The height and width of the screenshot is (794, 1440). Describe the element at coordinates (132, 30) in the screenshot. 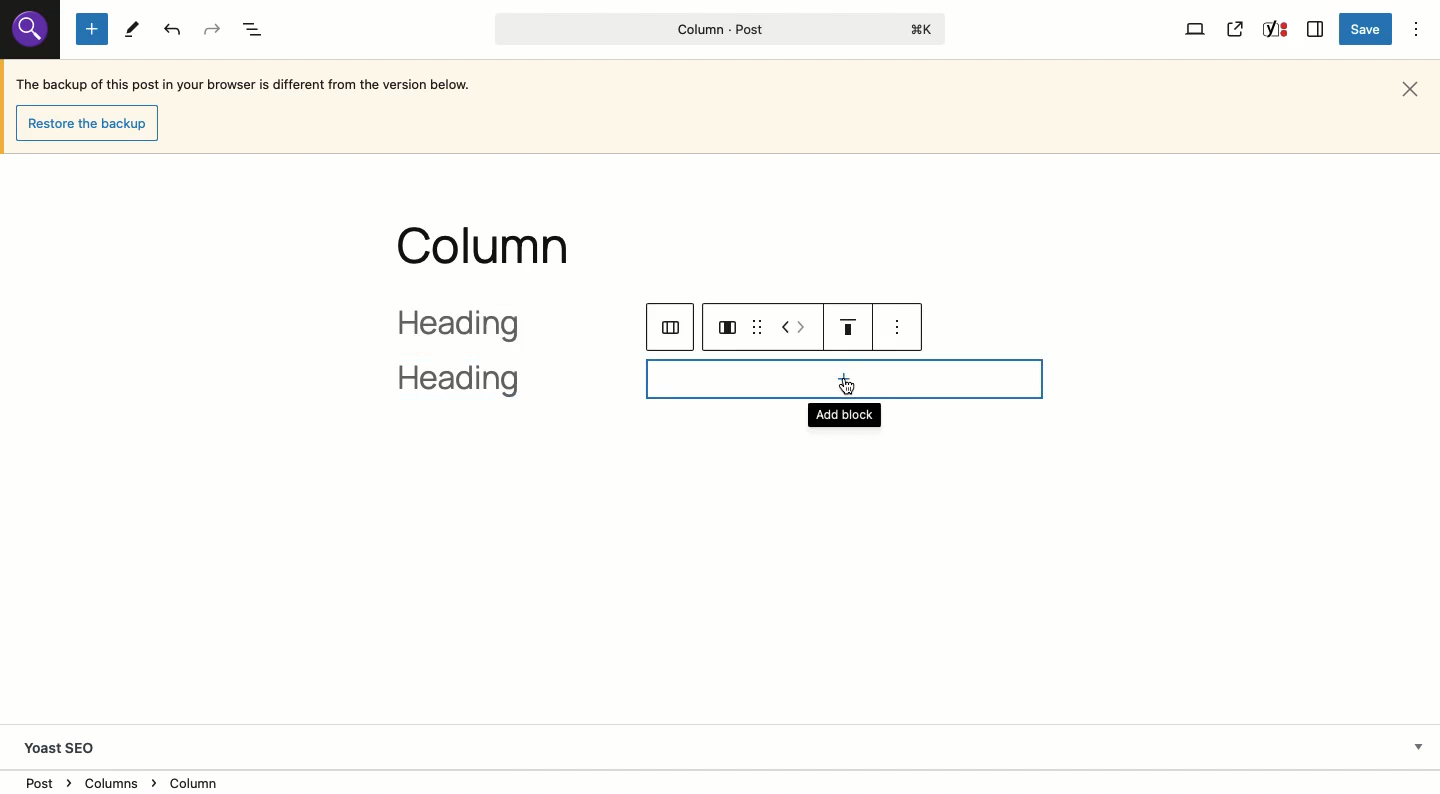

I see `Tools` at that location.